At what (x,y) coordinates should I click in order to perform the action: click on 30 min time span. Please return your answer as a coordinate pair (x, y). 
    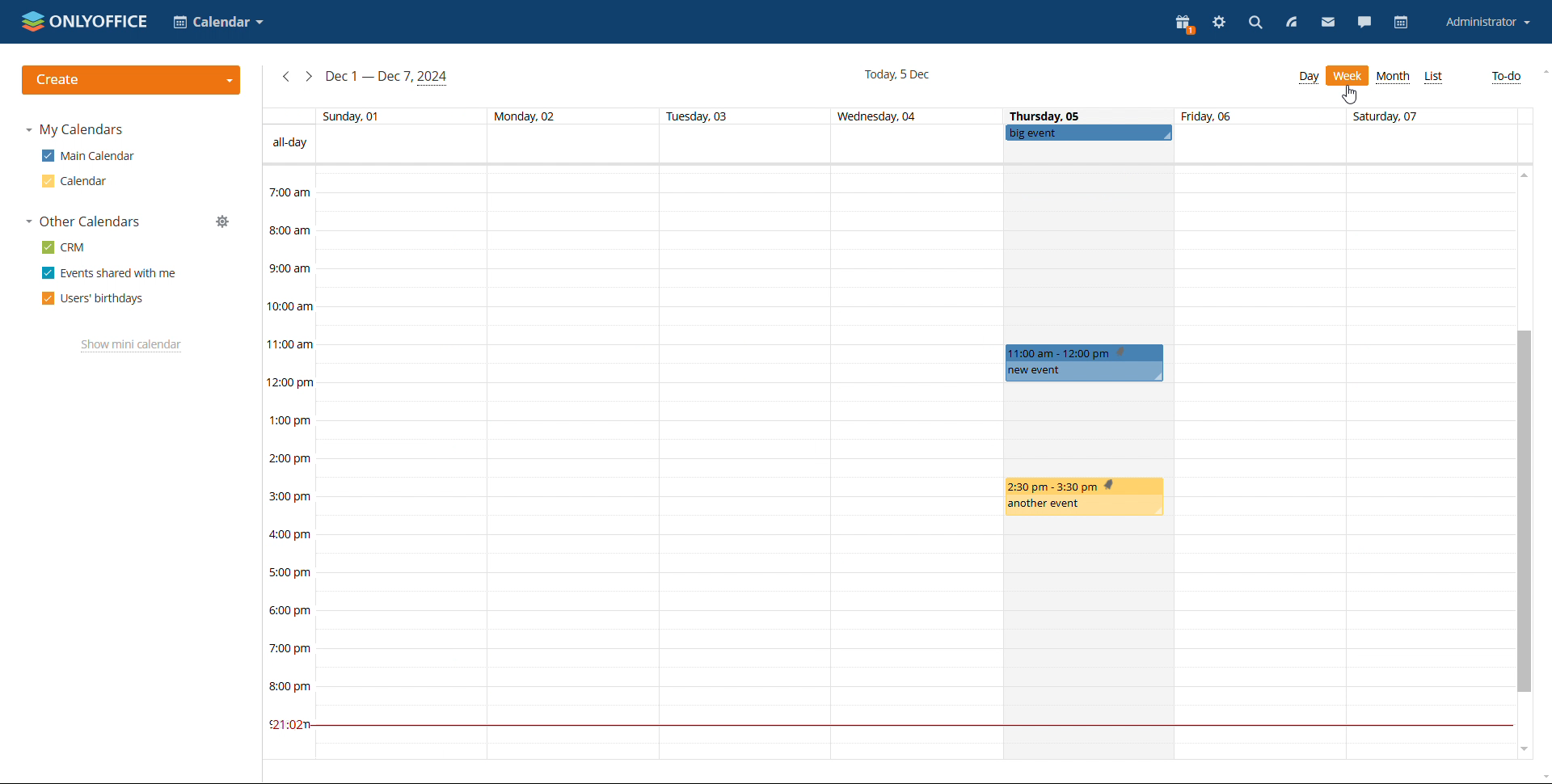
    Looking at the image, I should click on (987, 240).